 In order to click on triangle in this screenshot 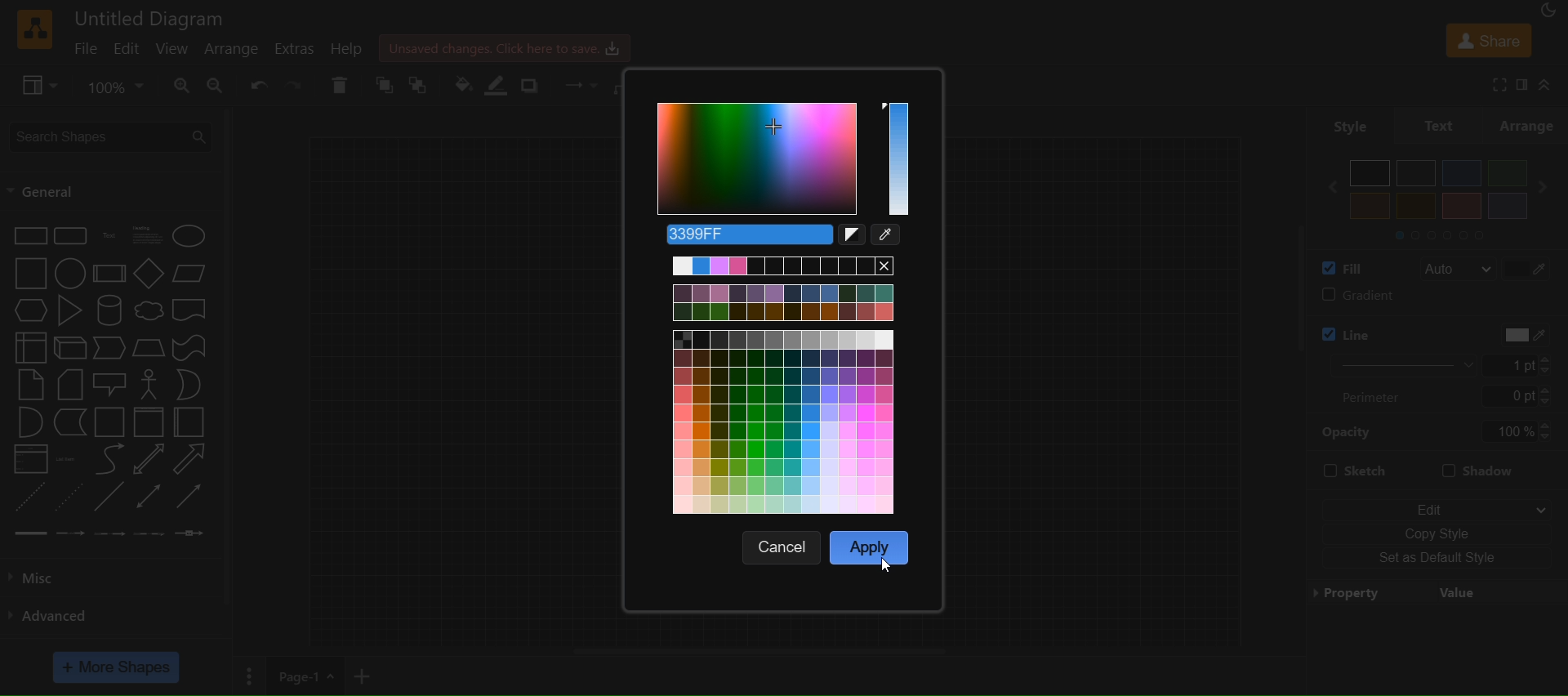, I will do `click(73, 310)`.